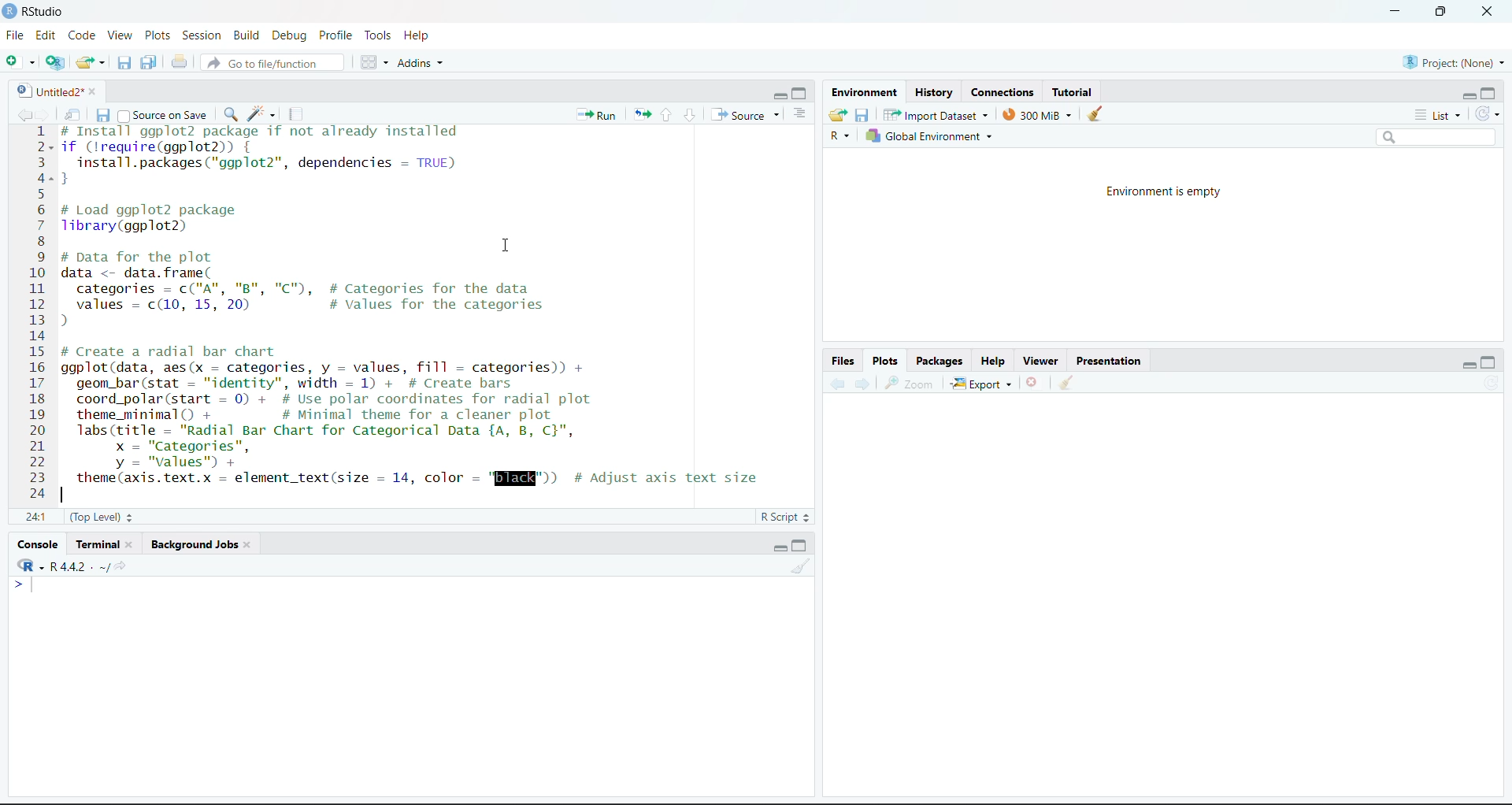 The height and width of the screenshot is (805, 1512). What do you see at coordinates (1452, 61) in the screenshot?
I see ` Project: (None) ` at bounding box center [1452, 61].